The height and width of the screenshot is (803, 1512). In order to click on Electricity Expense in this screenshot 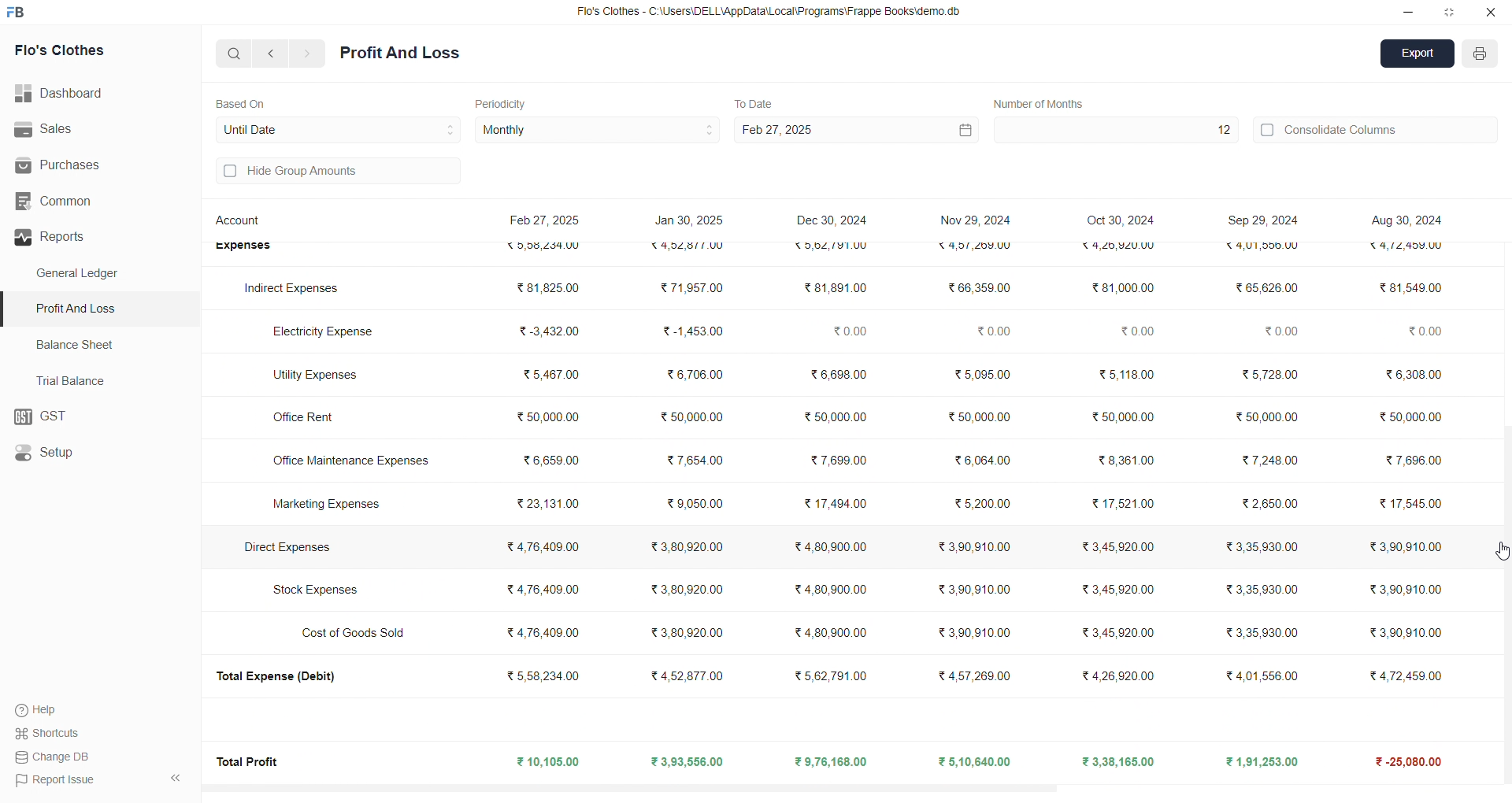, I will do `click(326, 329)`.